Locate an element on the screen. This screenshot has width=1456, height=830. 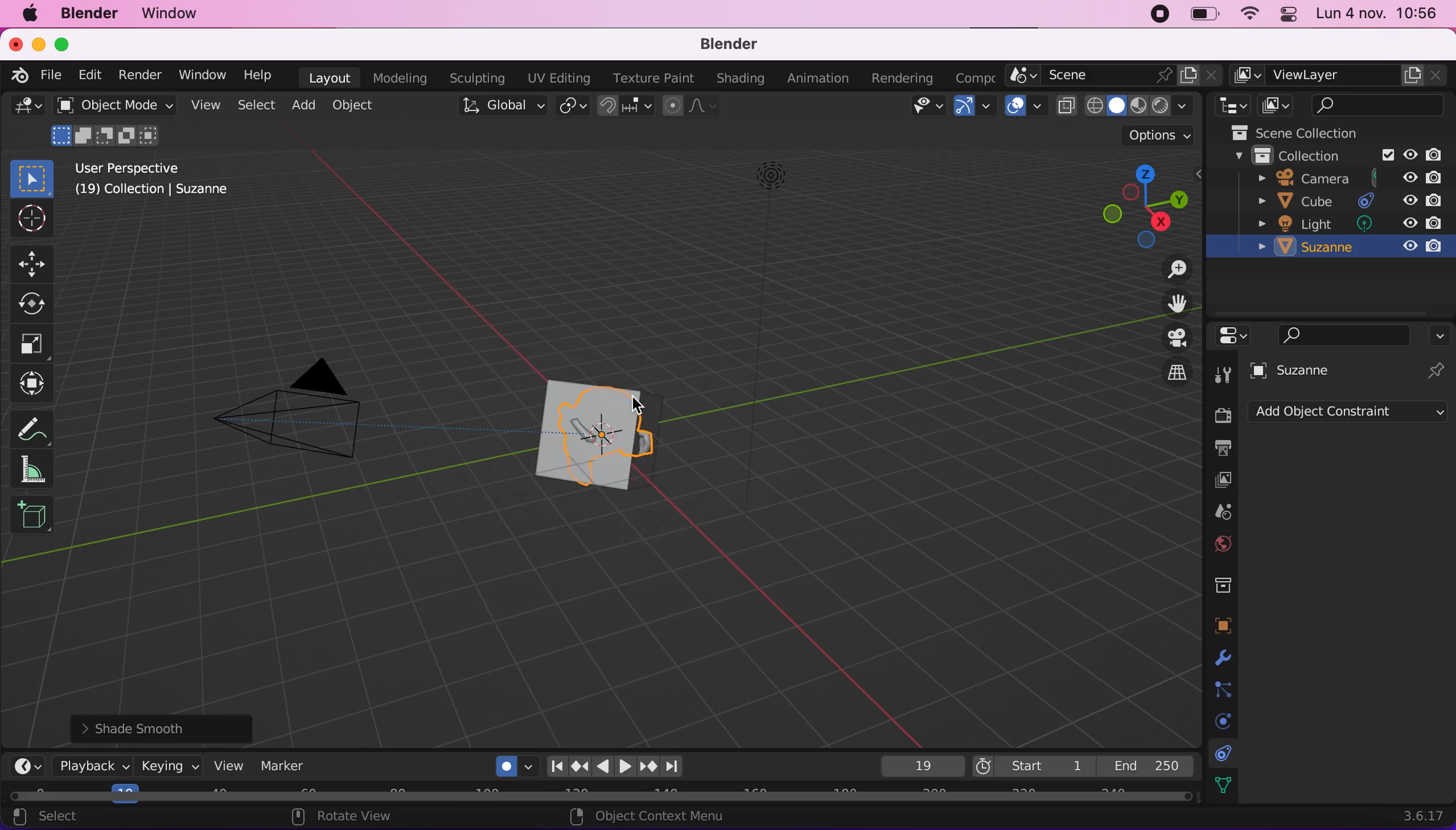
new scene is located at coordinates (1189, 77).